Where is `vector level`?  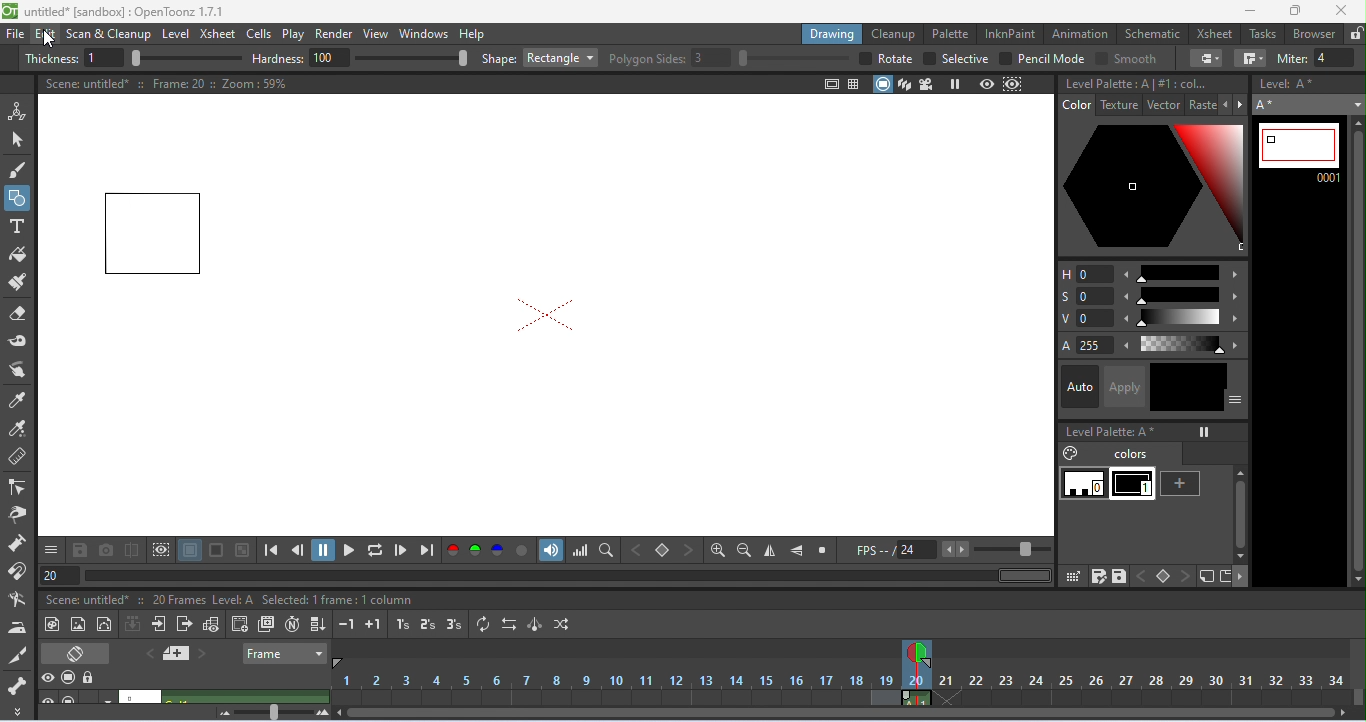 vector level is located at coordinates (105, 623).